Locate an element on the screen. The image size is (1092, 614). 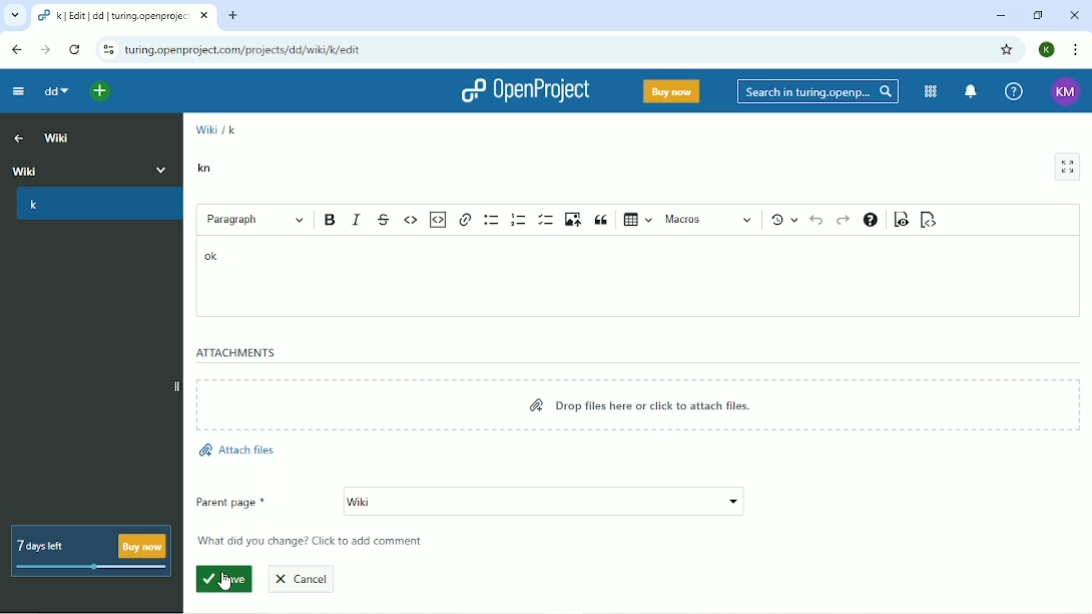
Customize and control google chrome is located at coordinates (1074, 50).